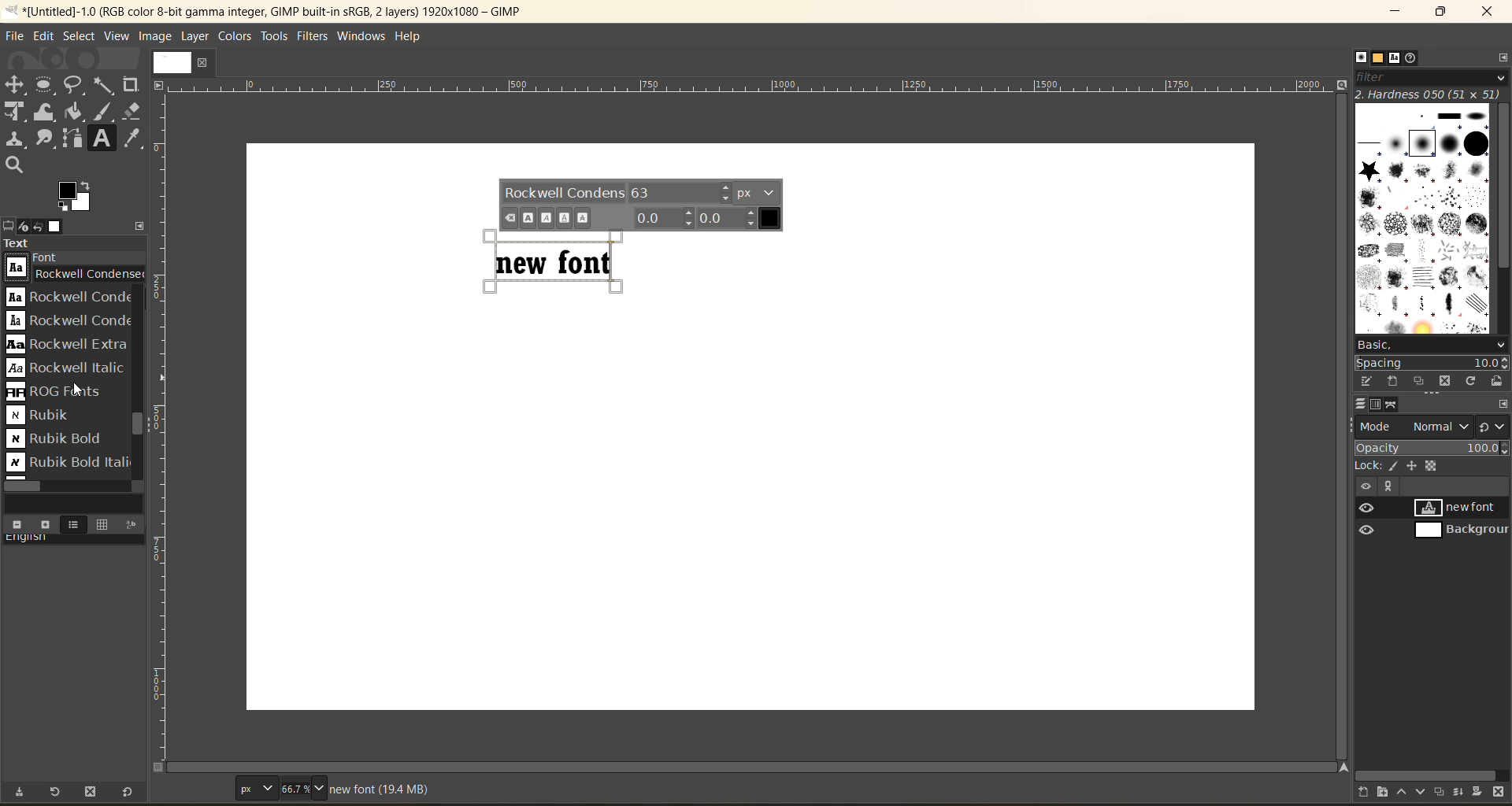 The height and width of the screenshot is (806, 1512). I want to click on mode, so click(1412, 427).